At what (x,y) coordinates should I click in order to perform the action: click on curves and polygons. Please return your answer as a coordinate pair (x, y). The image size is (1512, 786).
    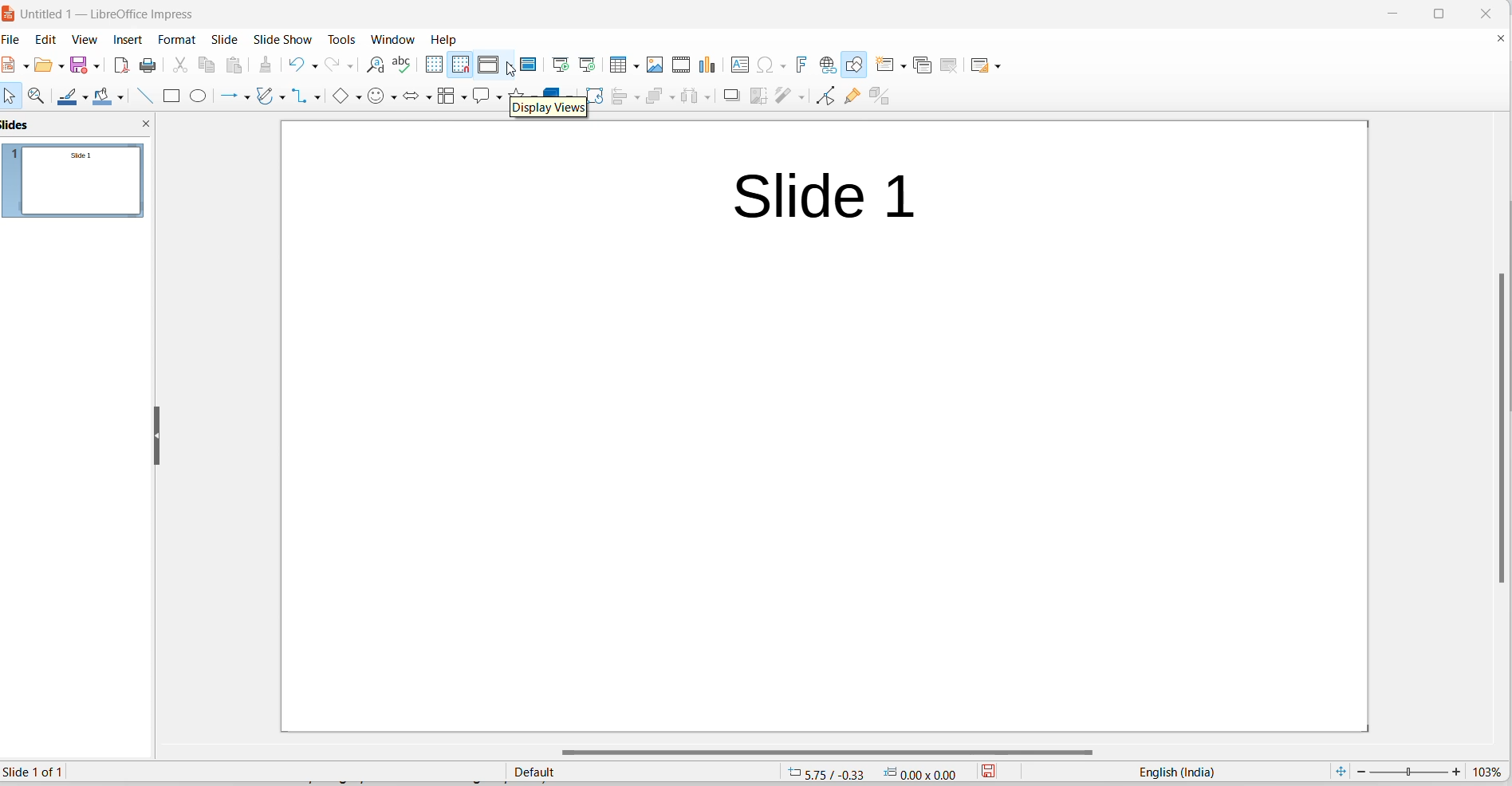
    Looking at the image, I should click on (267, 98).